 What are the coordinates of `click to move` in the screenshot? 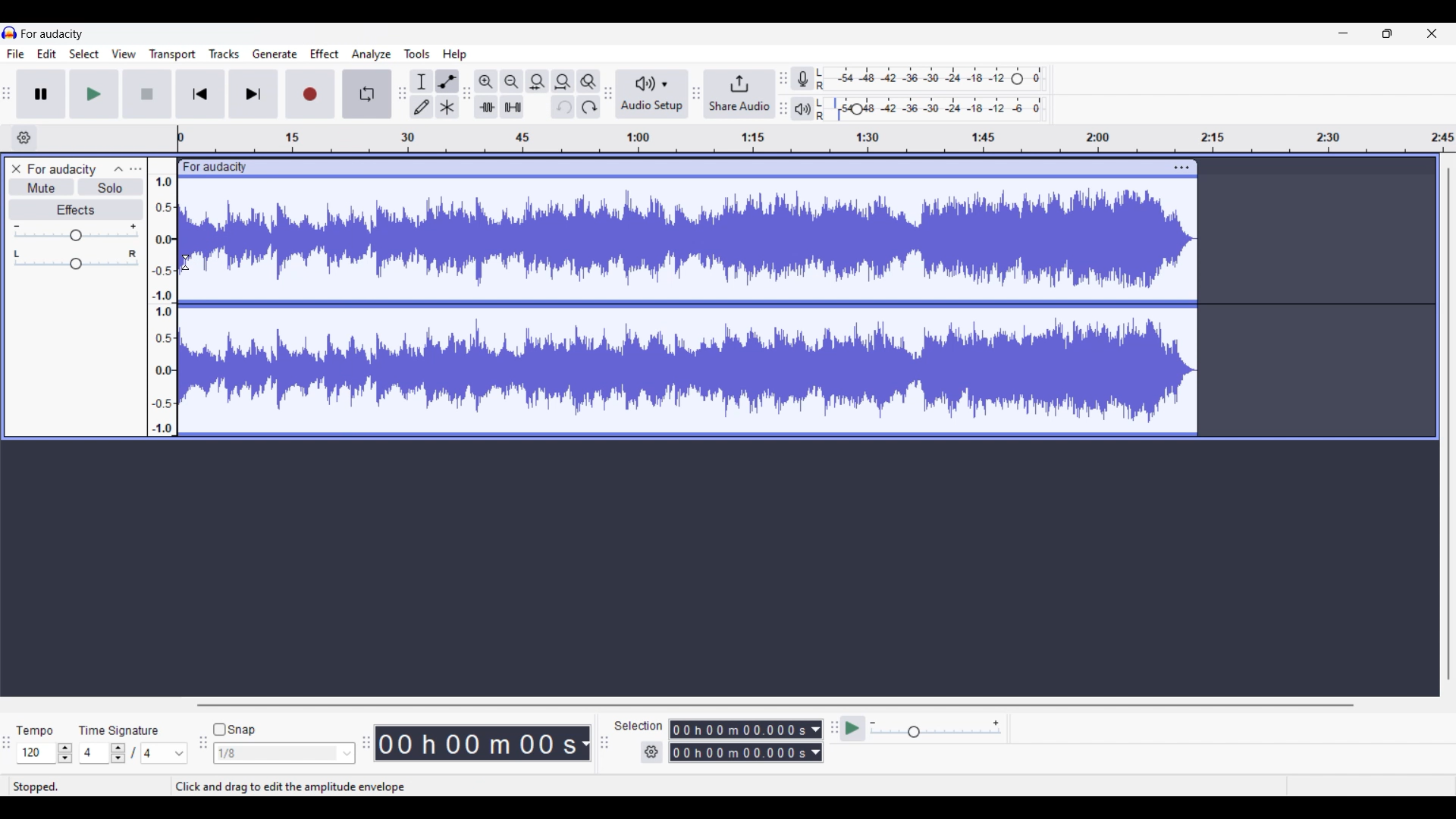 It's located at (710, 167).